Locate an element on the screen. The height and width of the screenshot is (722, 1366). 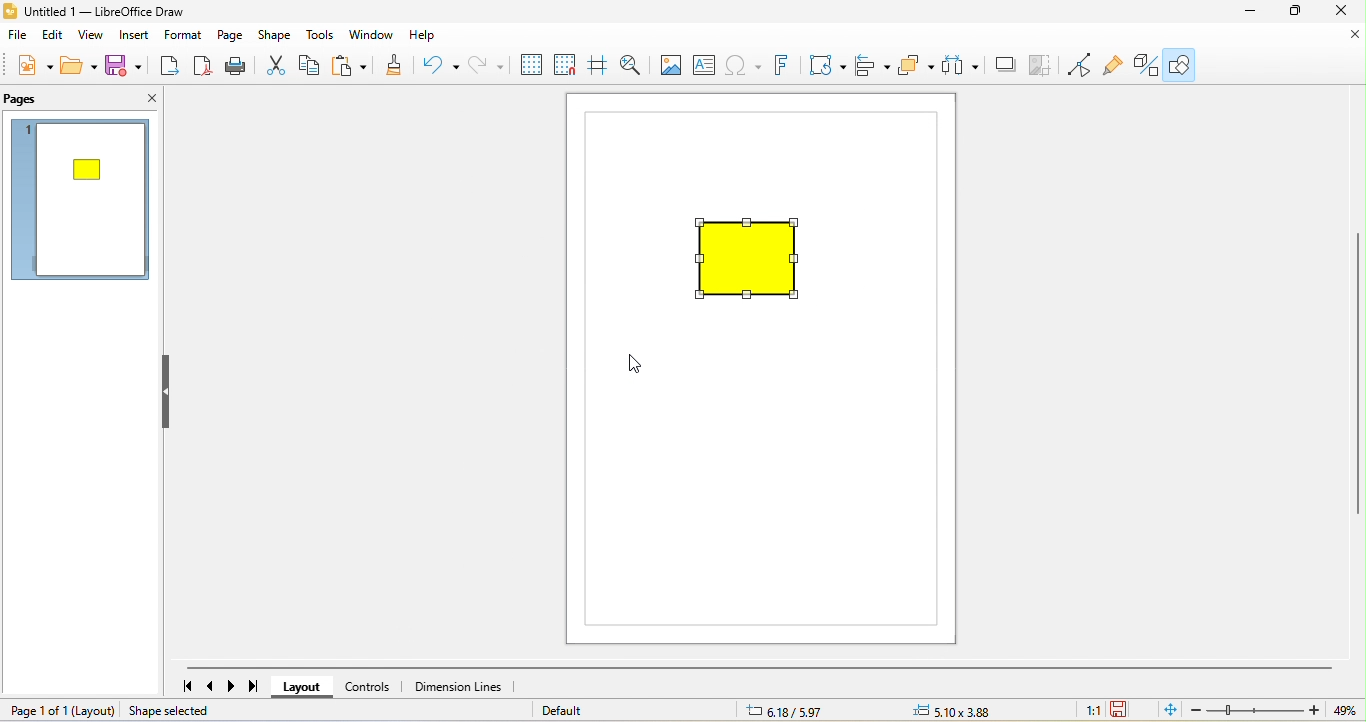
dimension lines is located at coordinates (460, 686).